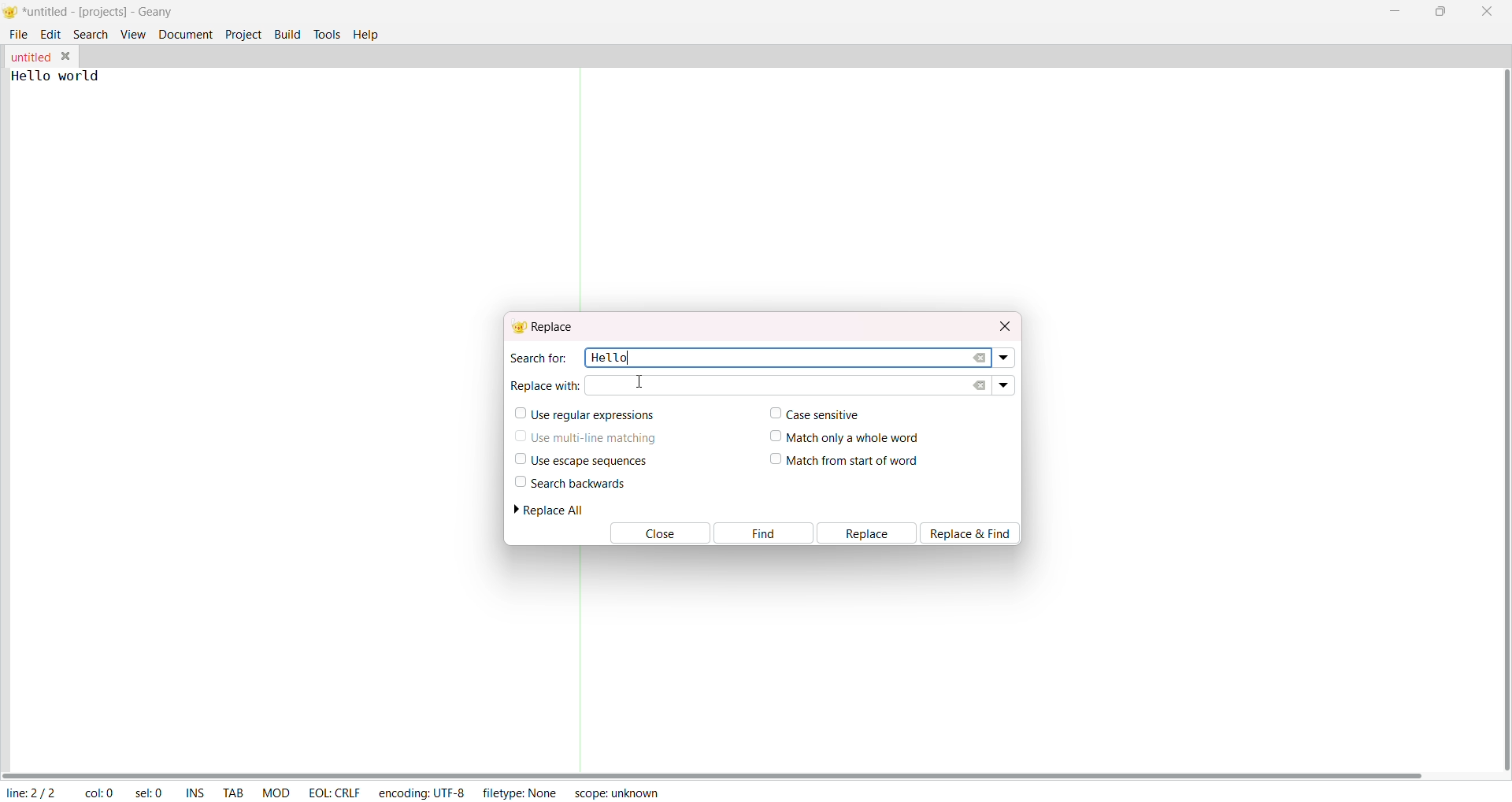  I want to click on close dialog, so click(1002, 324).